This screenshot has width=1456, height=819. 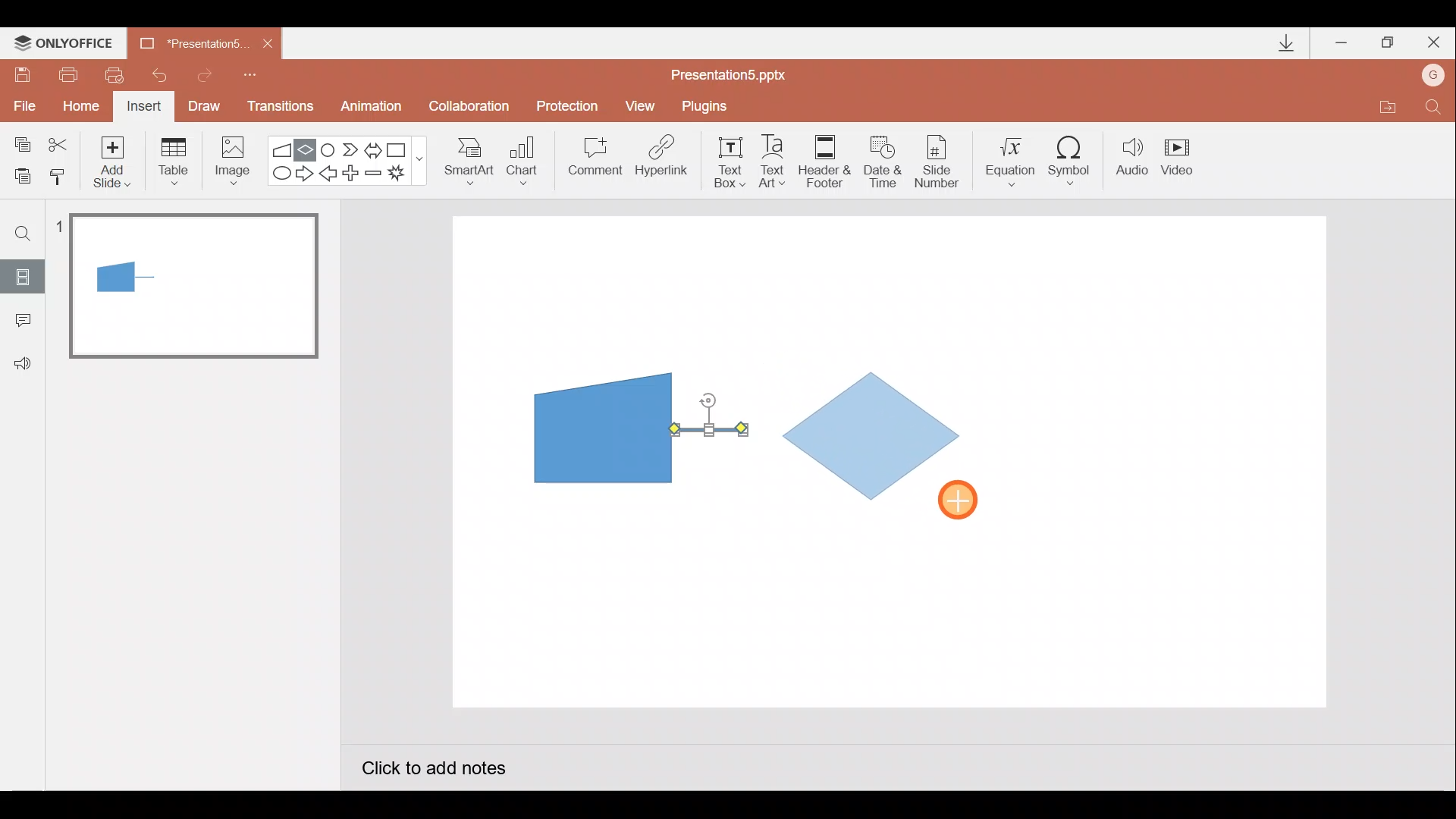 What do you see at coordinates (187, 41) in the screenshot?
I see `Presentation5.` at bounding box center [187, 41].